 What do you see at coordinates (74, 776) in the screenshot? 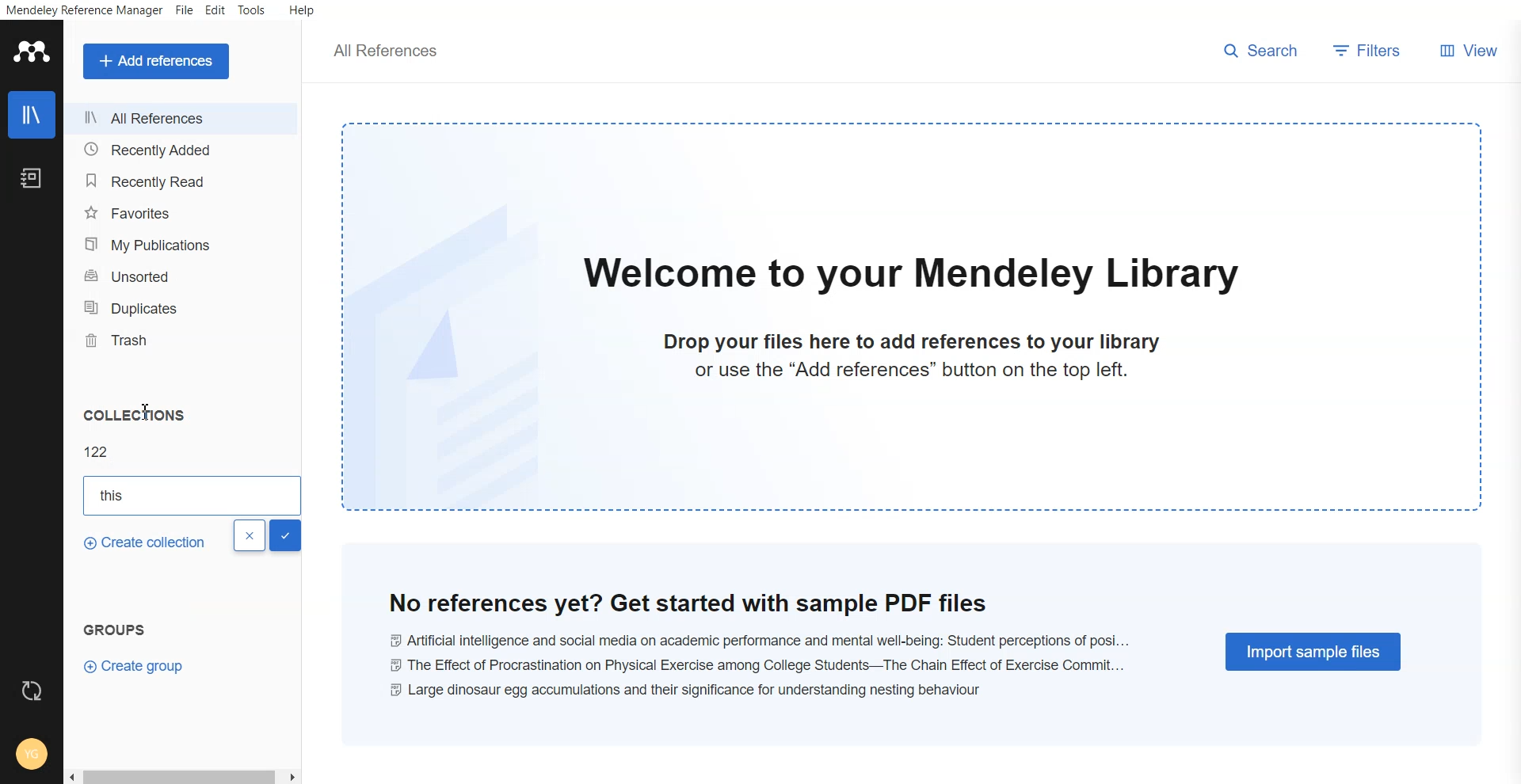
I see `scroll left` at bounding box center [74, 776].